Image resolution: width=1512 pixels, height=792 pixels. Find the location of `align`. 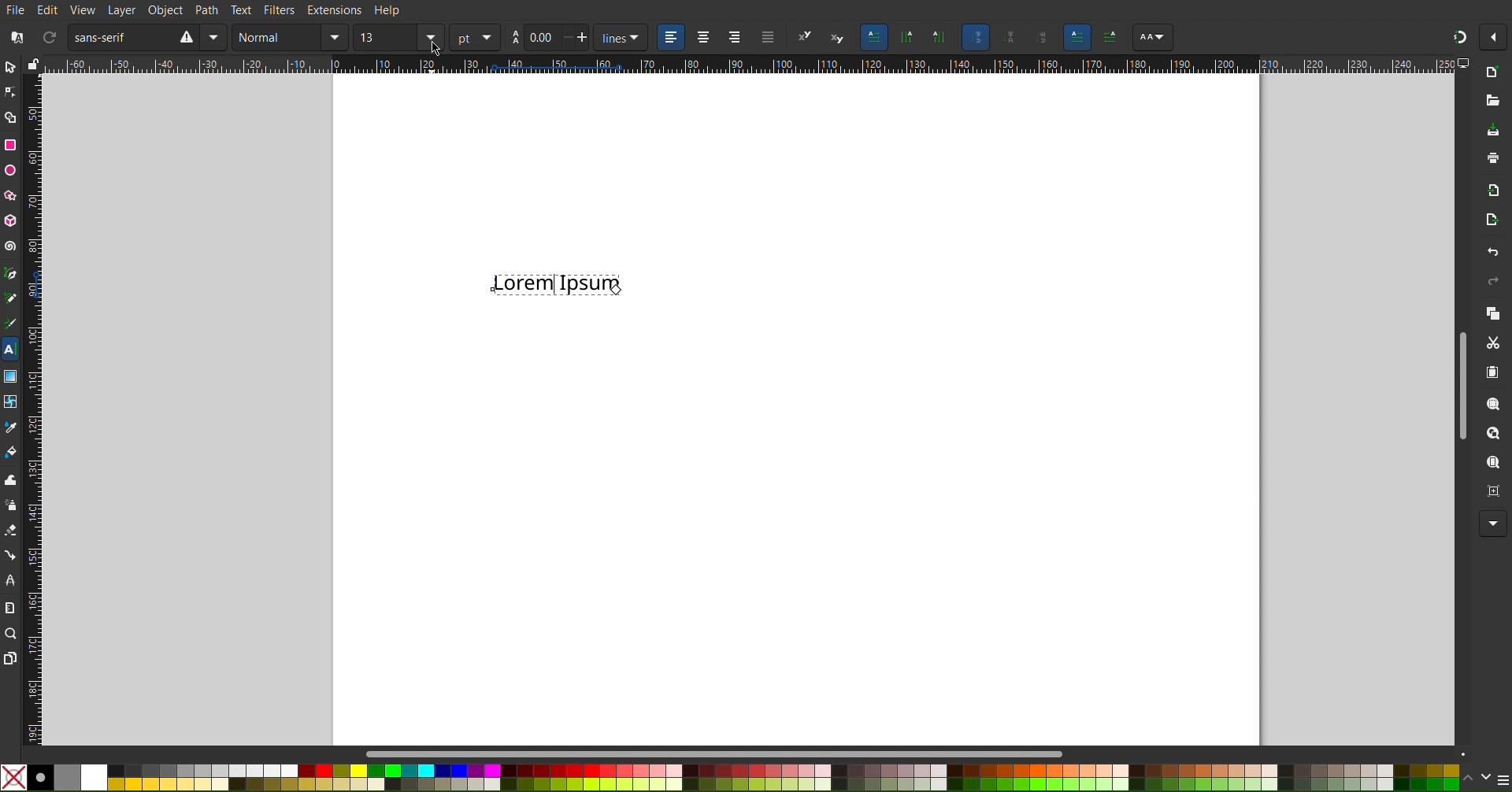

align is located at coordinates (766, 39).